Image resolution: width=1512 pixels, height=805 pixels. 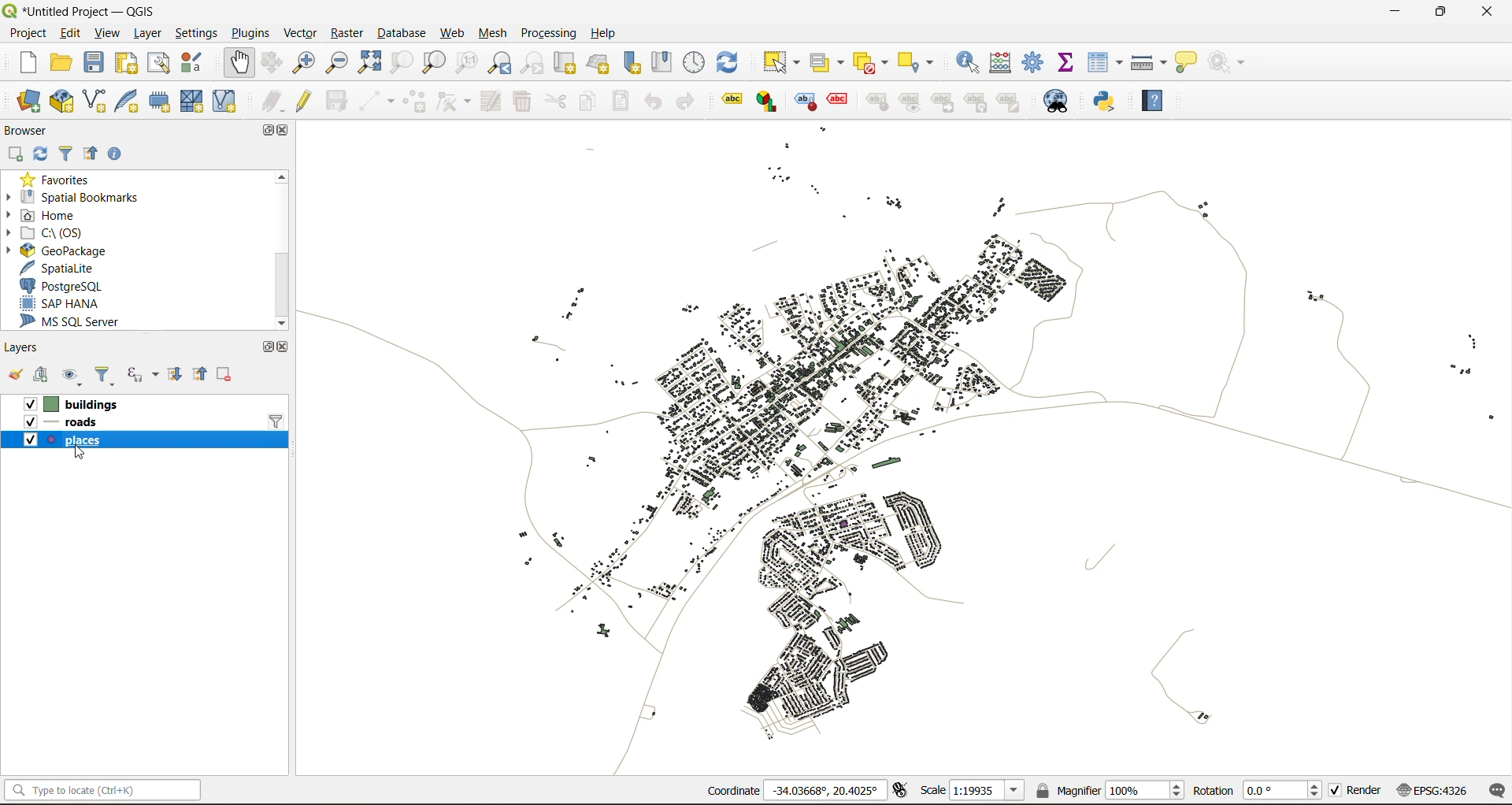 I want to click on refresh, so click(x=43, y=153).